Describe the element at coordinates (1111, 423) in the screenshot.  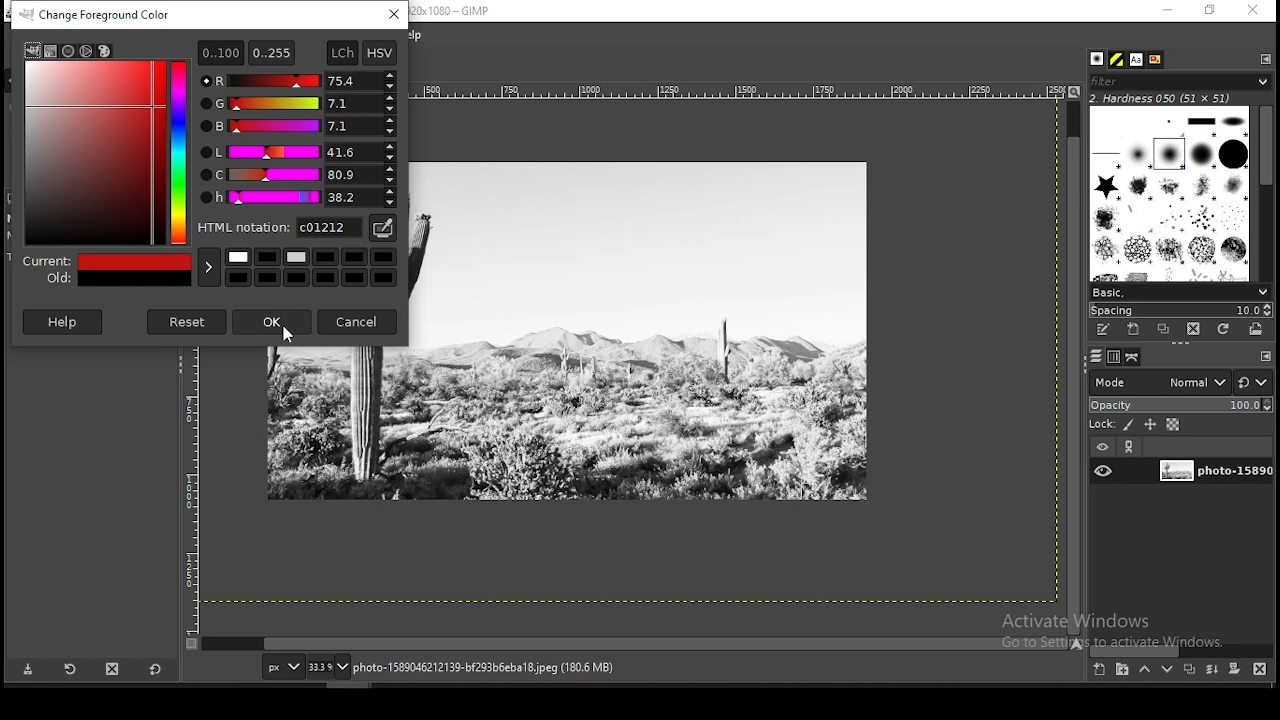
I see `lock pixels` at that location.